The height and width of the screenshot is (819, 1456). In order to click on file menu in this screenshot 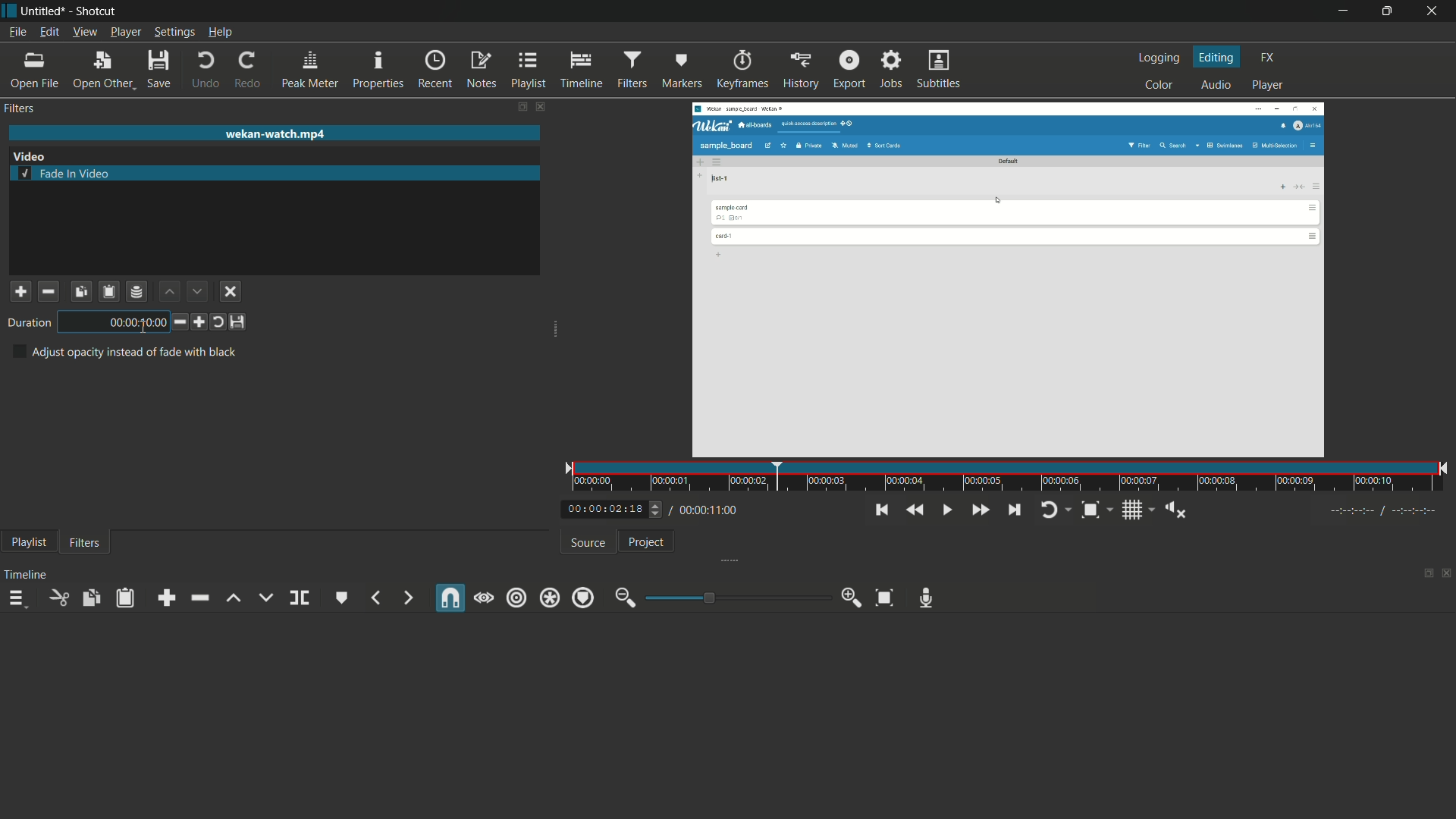, I will do `click(16, 33)`.